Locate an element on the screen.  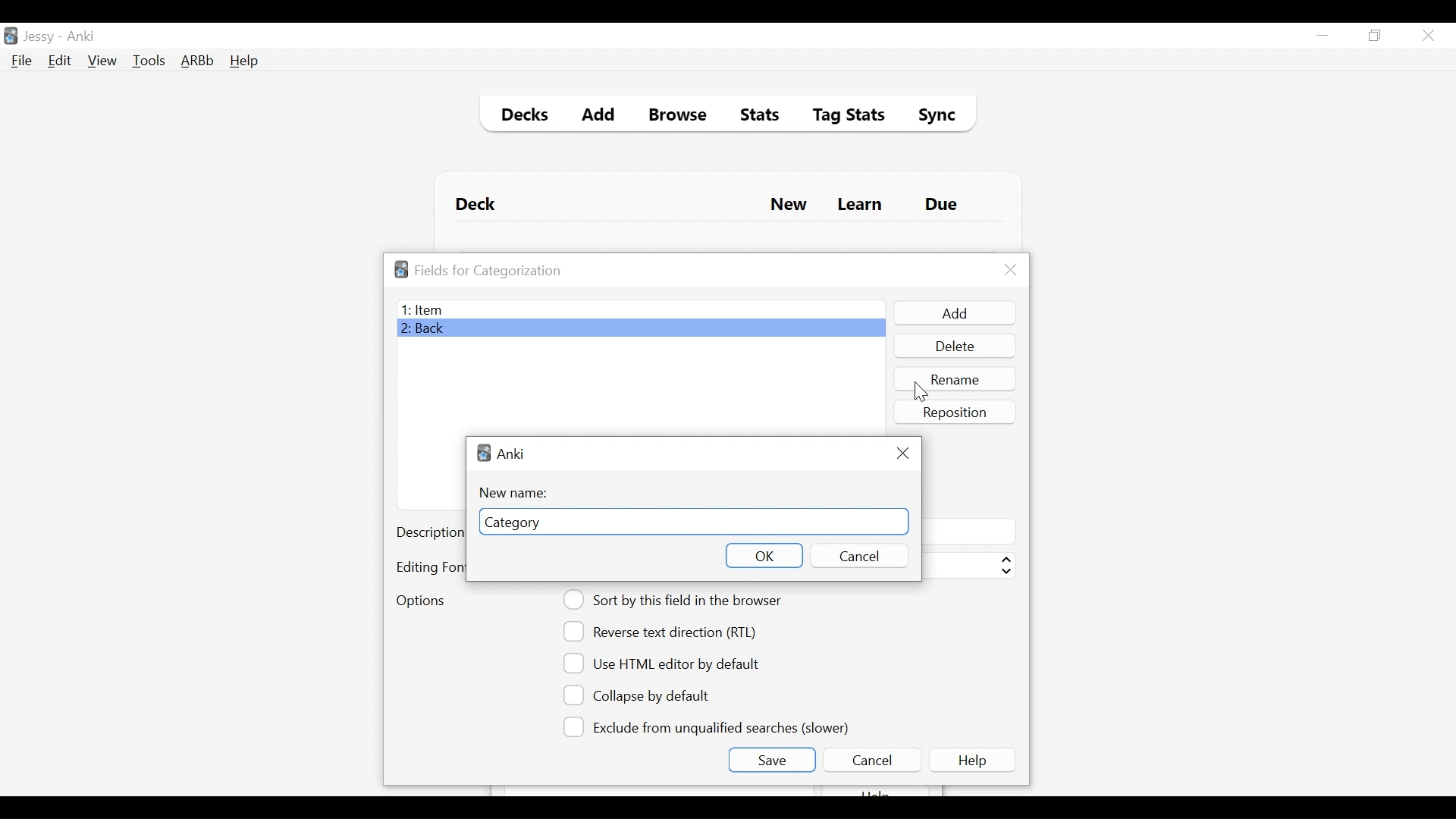
minimize is located at coordinates (1322, 36).